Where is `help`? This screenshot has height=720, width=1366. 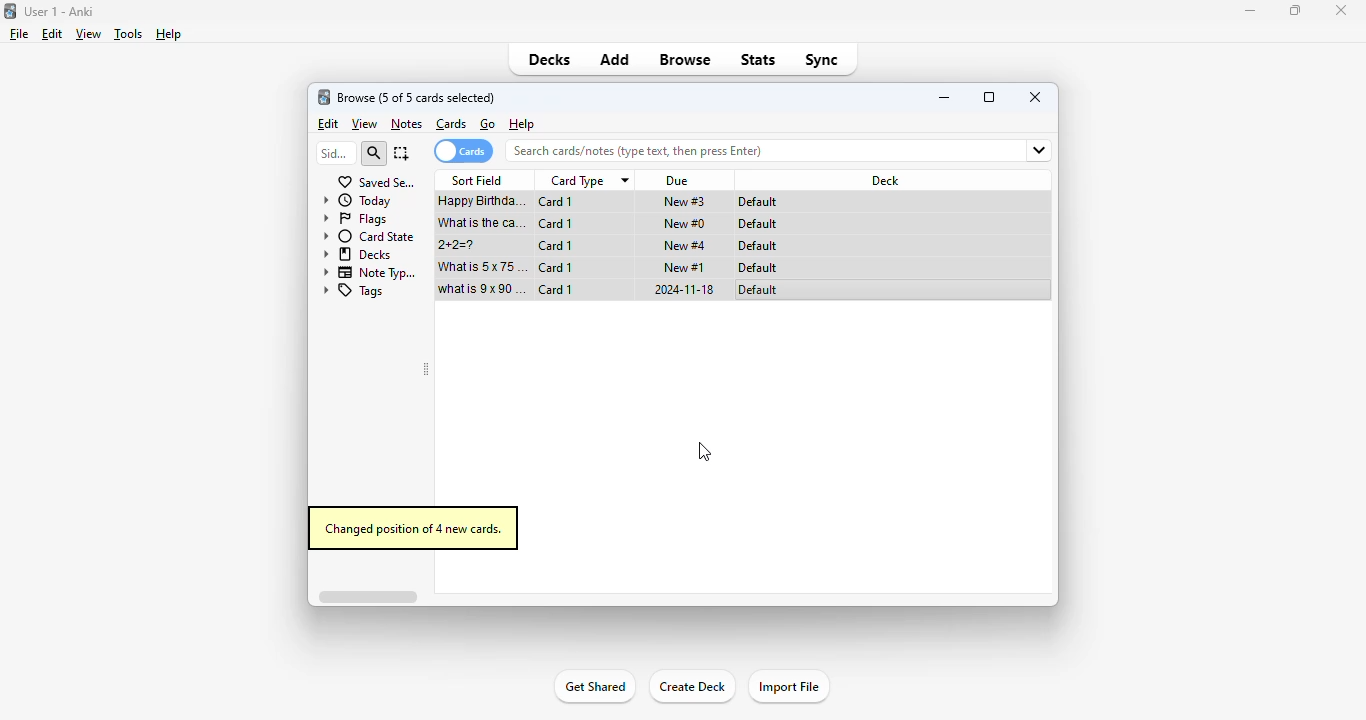 help is located at coordinates (522, 123).